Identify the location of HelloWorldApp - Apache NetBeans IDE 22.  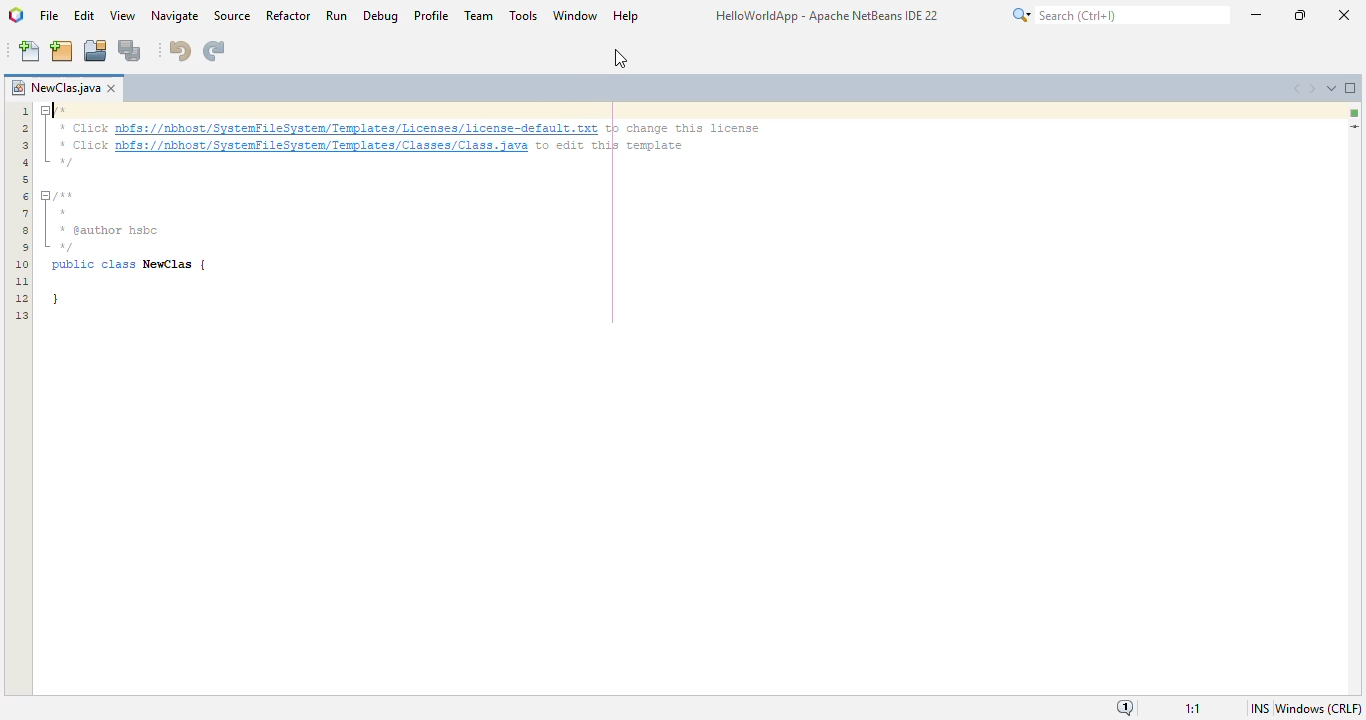
(826, 18).